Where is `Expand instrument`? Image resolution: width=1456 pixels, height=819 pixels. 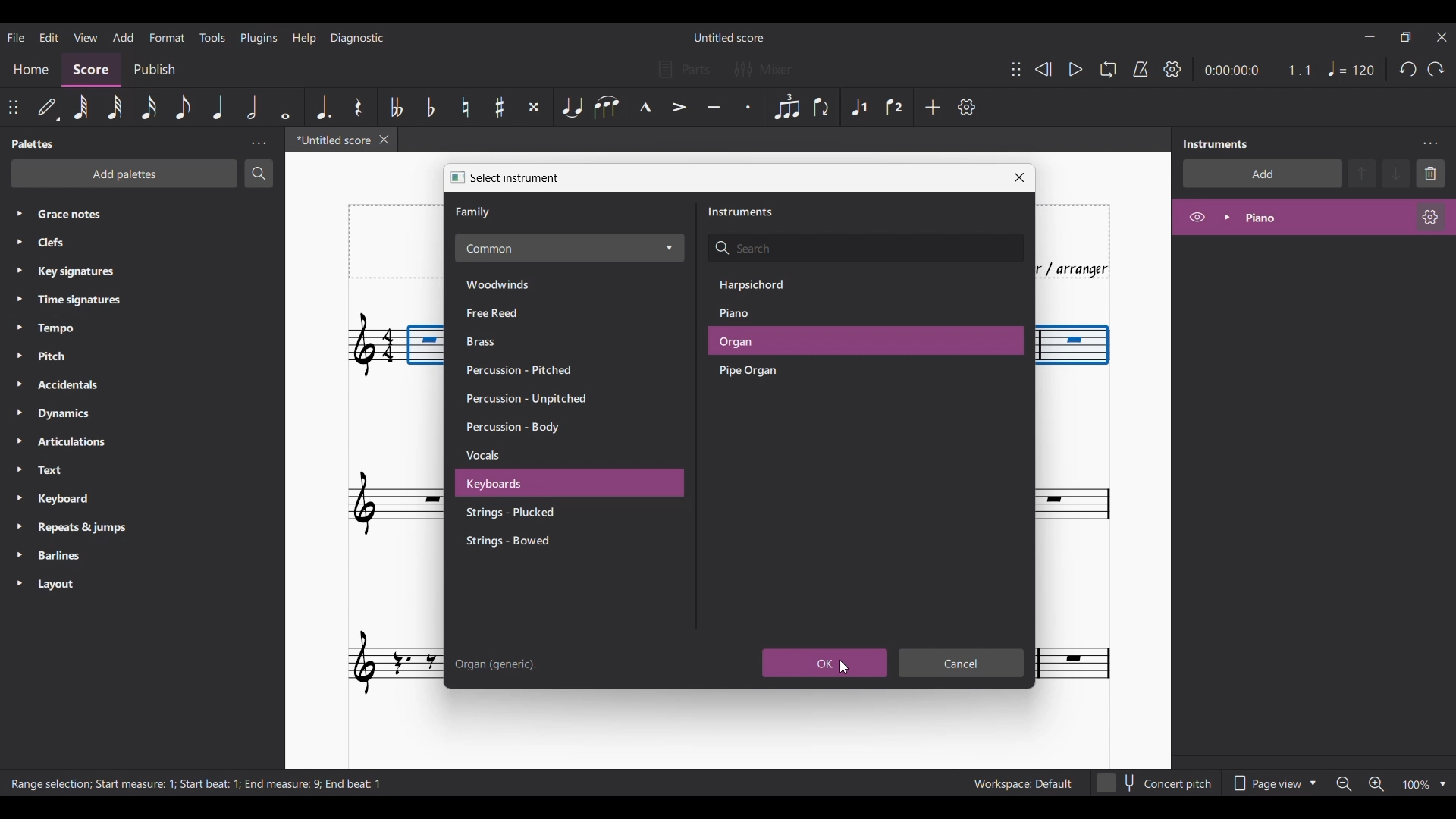 Expand instrument is located at coordinates (1227, 218).